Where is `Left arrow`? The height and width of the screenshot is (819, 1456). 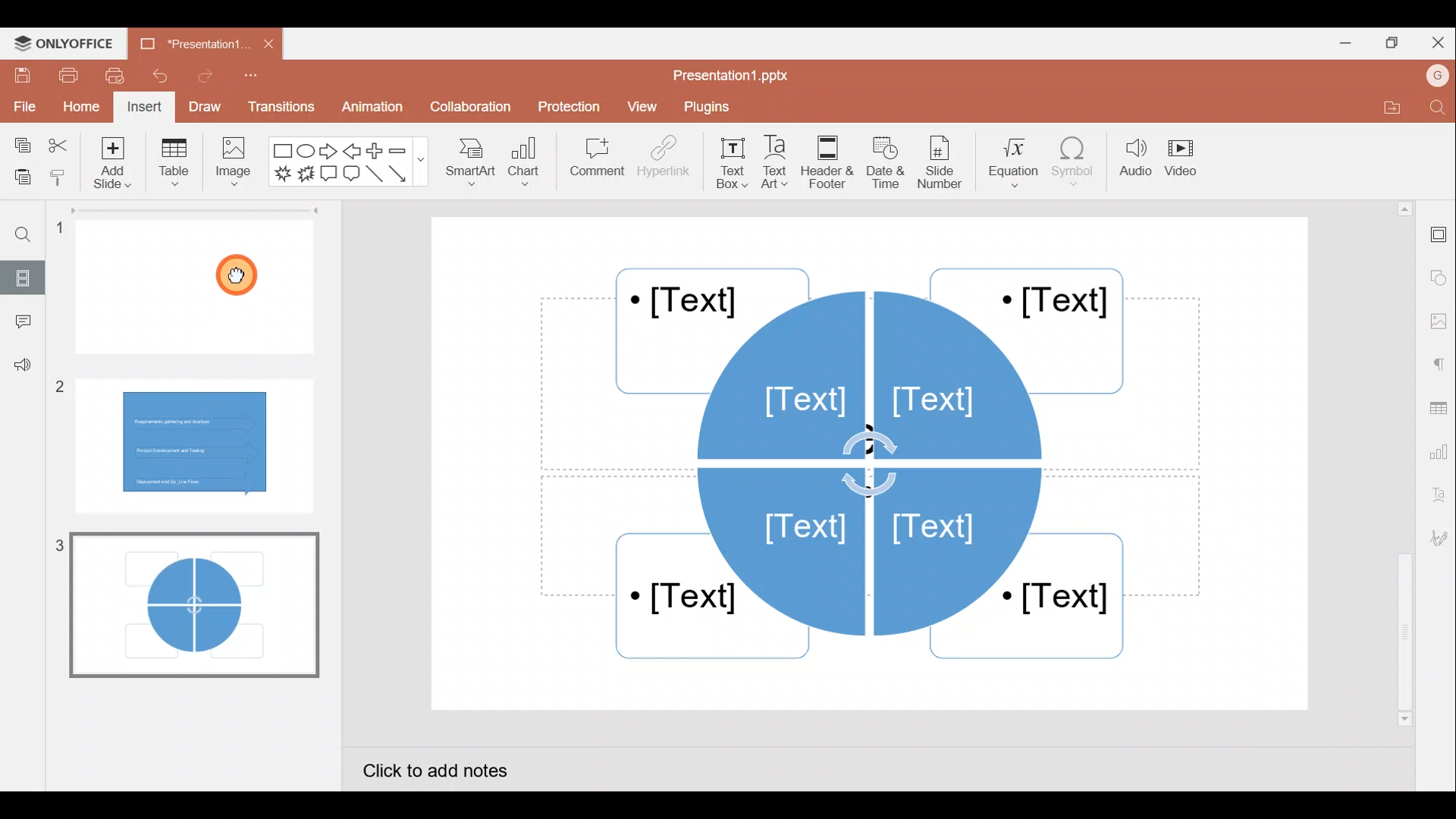
Left arrow is located at coordinates (351, 152).